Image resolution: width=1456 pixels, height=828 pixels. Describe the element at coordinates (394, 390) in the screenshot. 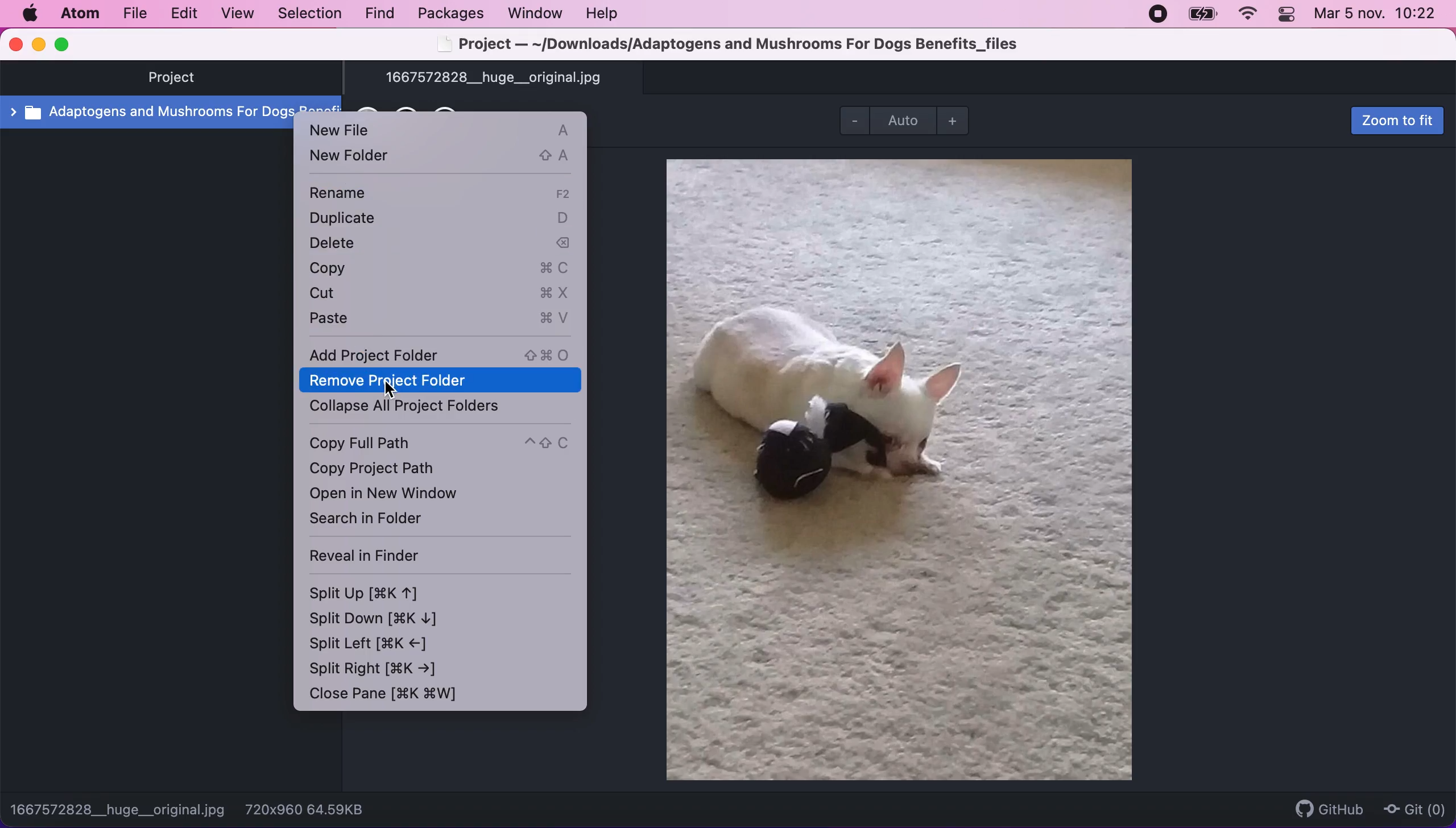

I see `cursor` at that location.